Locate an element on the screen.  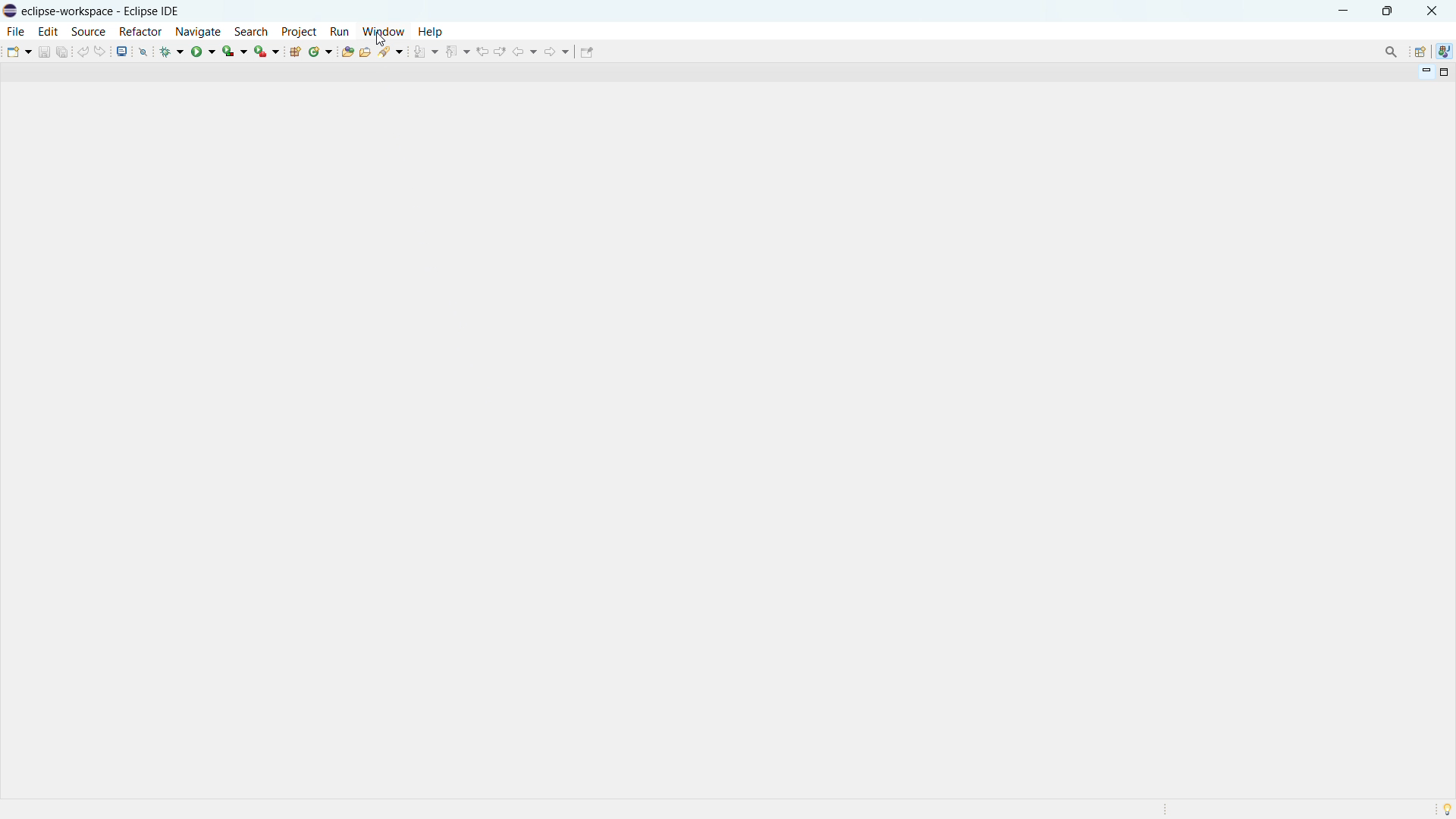
open console is located at coordinates (122, 51).